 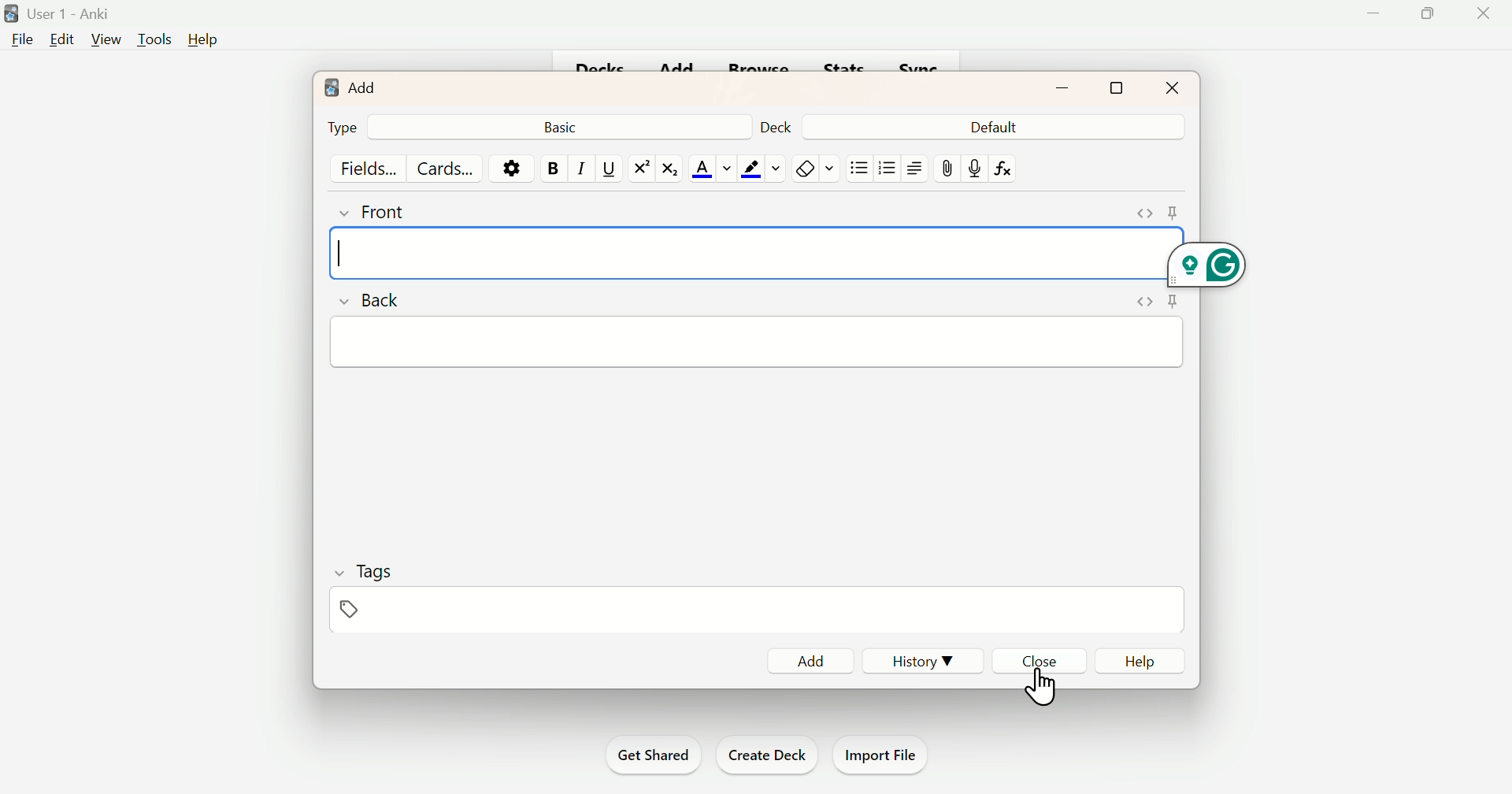 I want to click on Bullets, so click(x=887, y=171).